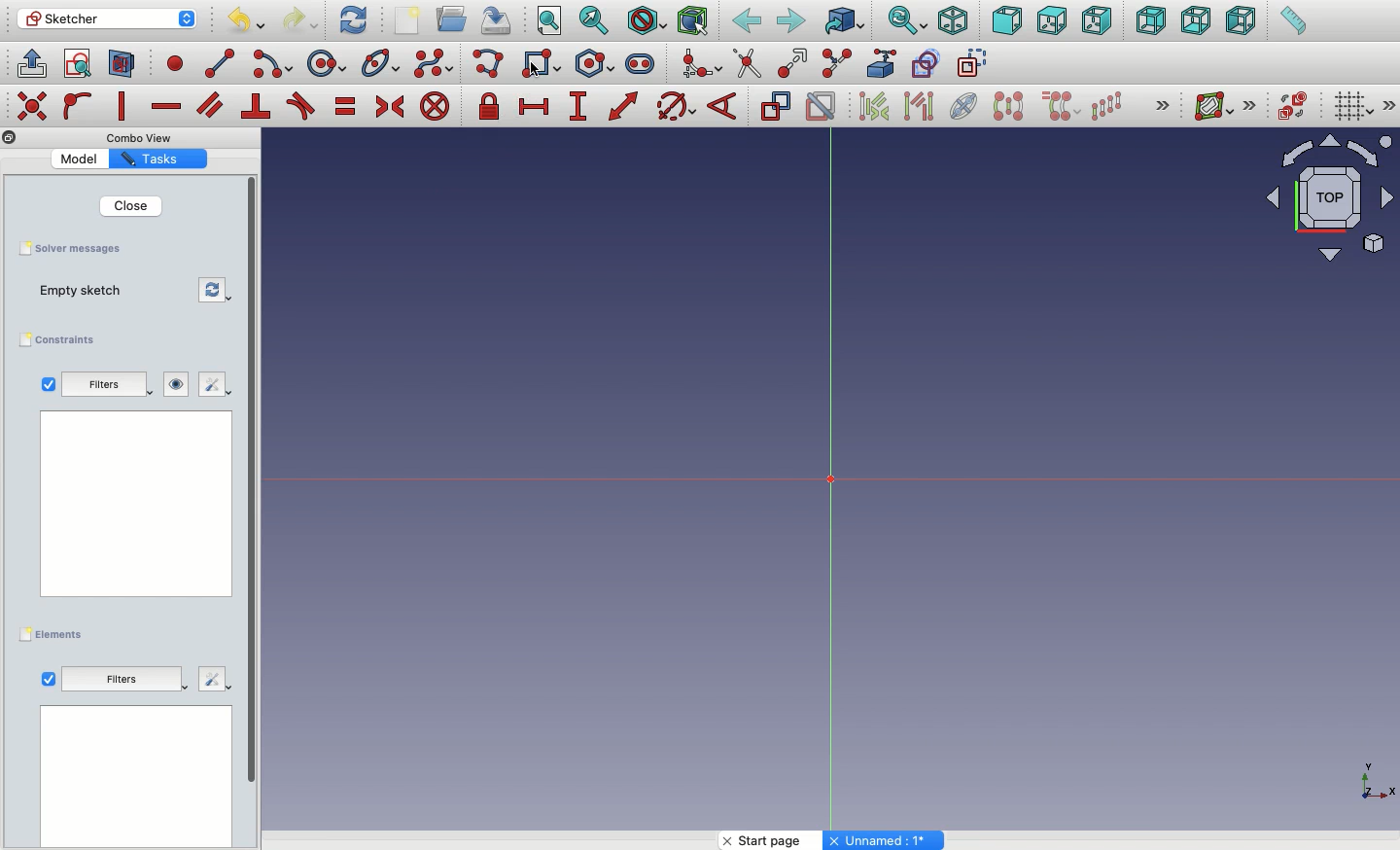 The width and height of the screenshot is (1400, 850). Describe the element at coordinates (547, 22) in the screenshot. I see `Fit all` at that location.